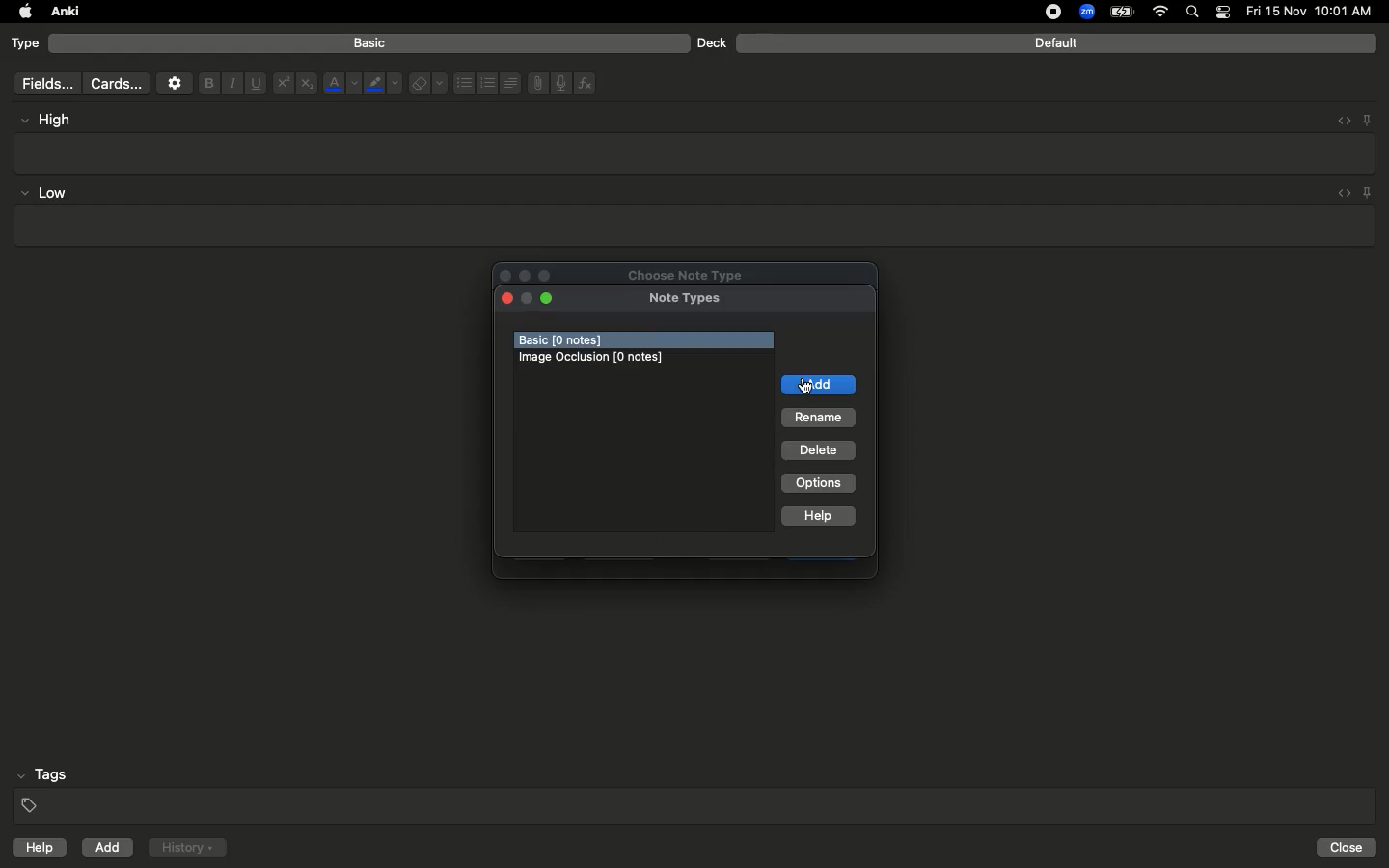 This screenshot has width=1389, height=868. I want to click on Cards, so click(116, 84).